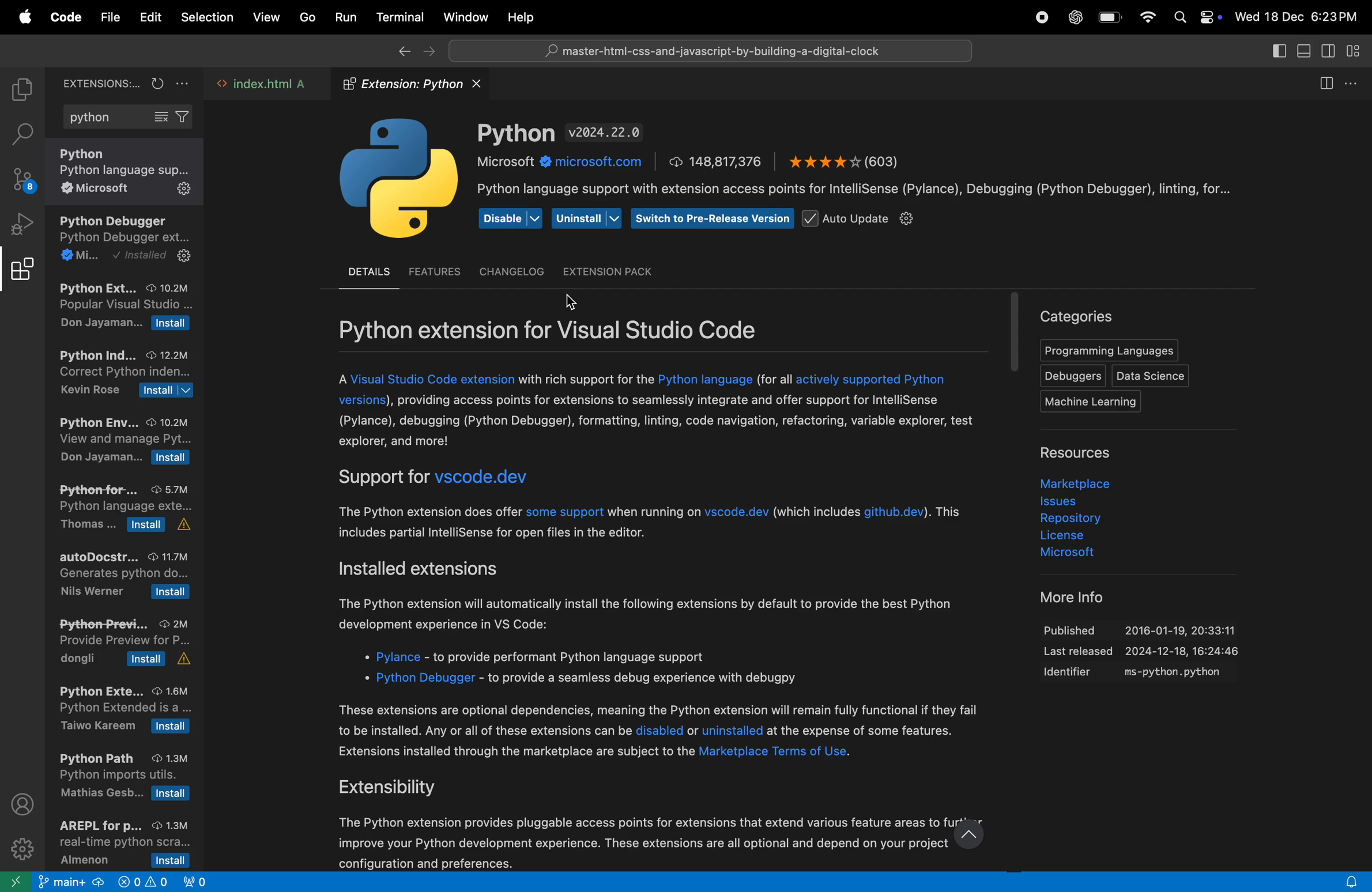  What do you see at coordinates (96, 82) in the screenshot?
I see `extensions` at bounding box center [96, 82].